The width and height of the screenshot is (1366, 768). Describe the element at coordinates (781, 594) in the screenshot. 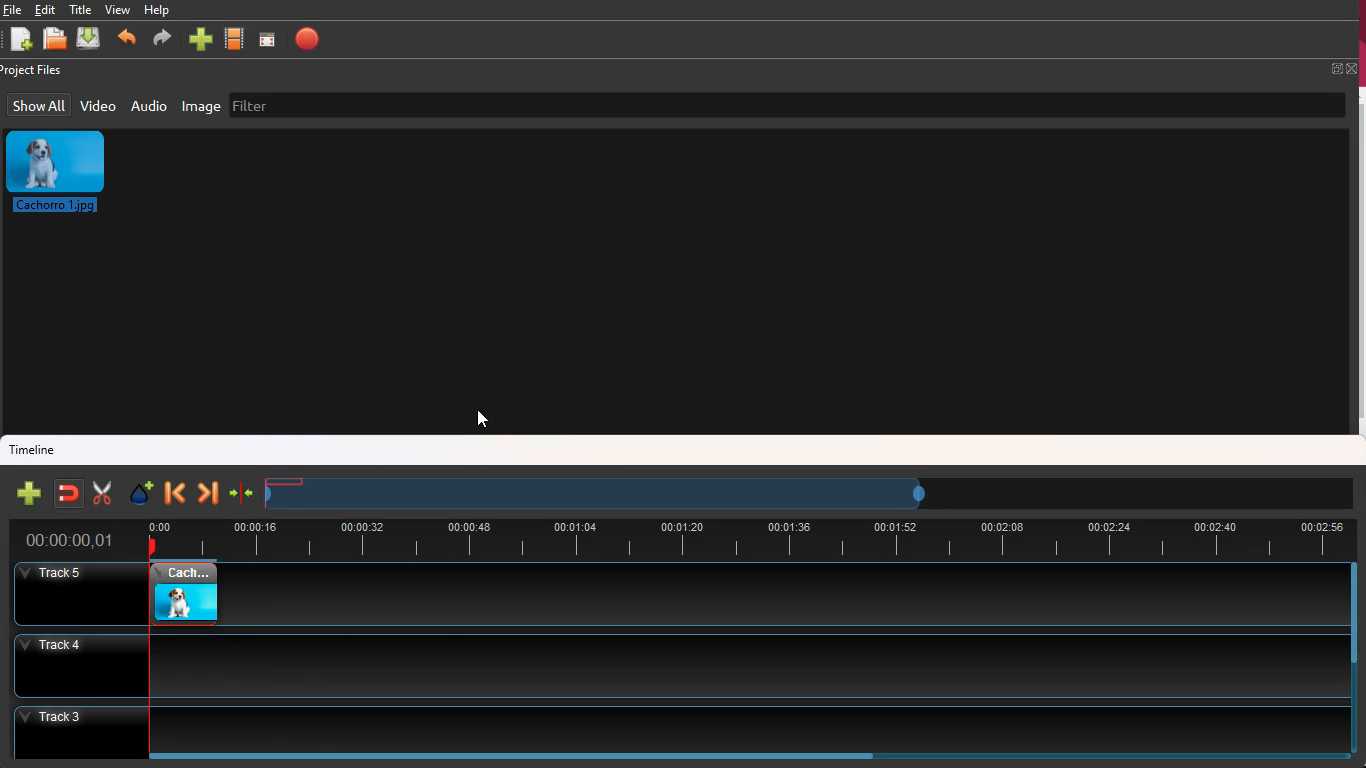

I see `track` at that location.